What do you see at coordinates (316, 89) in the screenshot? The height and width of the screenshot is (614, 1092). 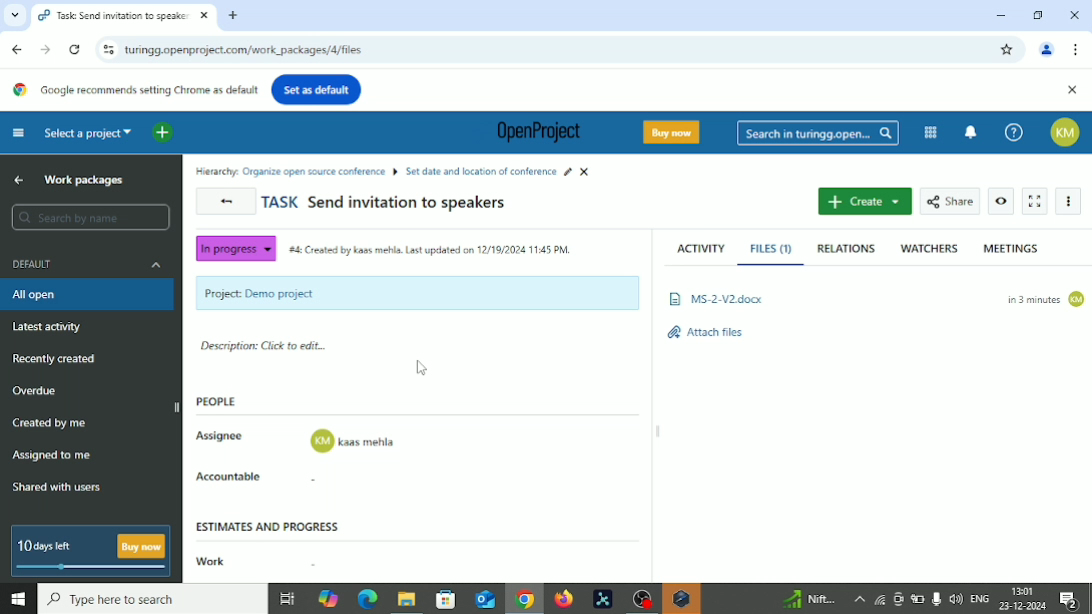 I see `Set as default` at bounding box center [316, 89].